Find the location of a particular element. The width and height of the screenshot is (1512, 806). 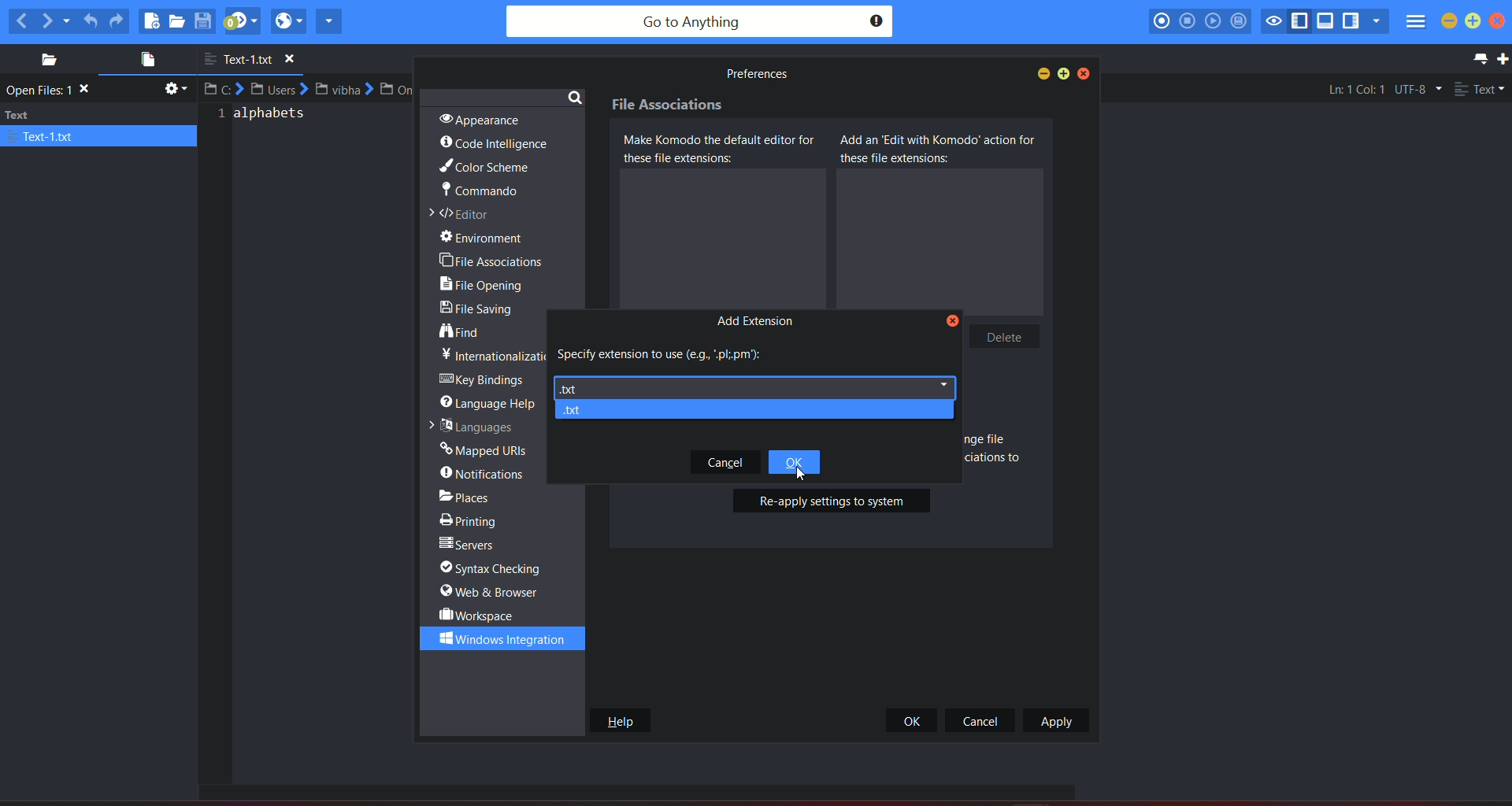

places is located at coordinates (478, 495).